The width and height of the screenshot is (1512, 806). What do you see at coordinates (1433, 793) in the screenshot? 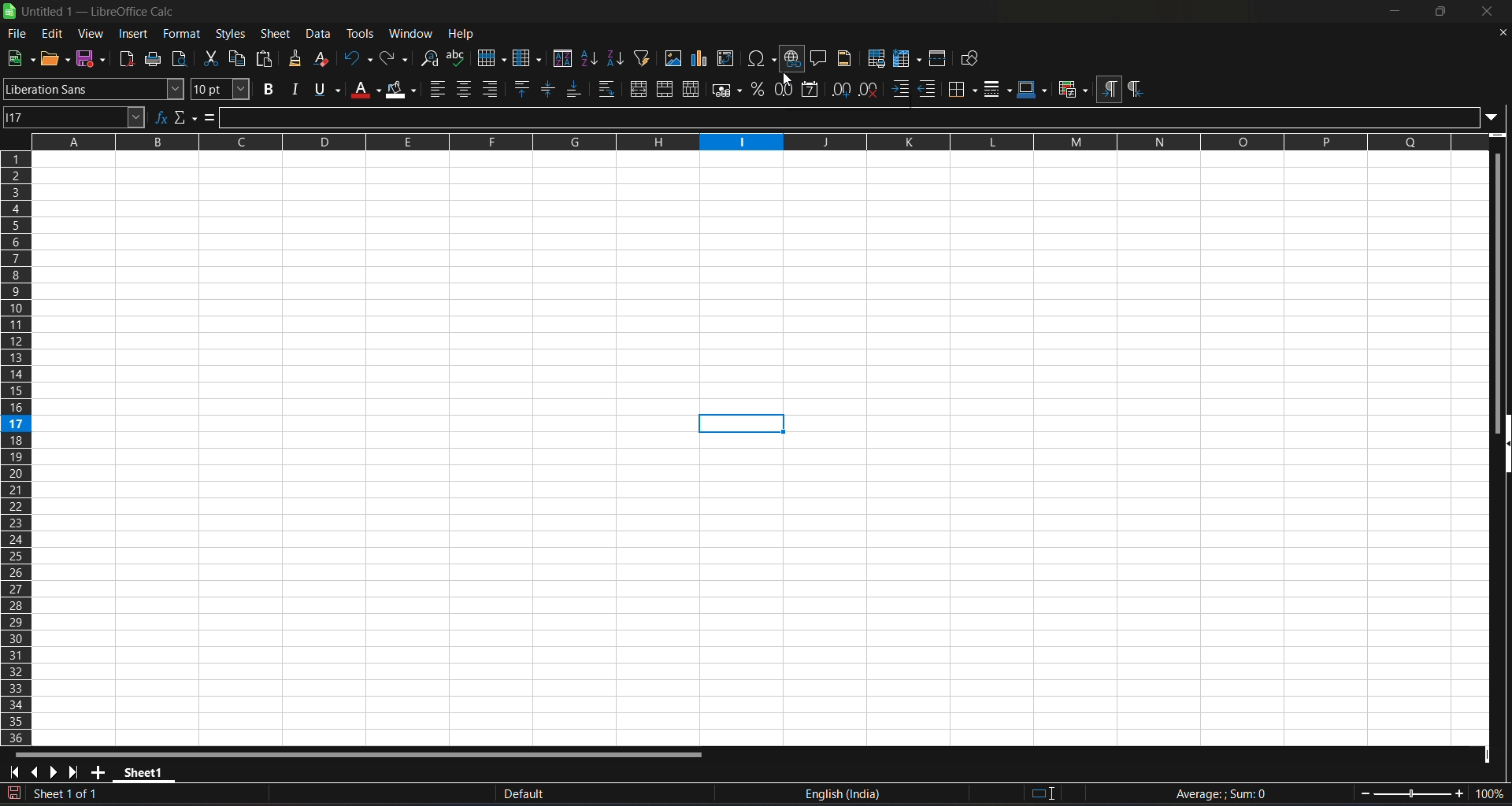
I see `zoom factor` at bounding box center [1433, 793].